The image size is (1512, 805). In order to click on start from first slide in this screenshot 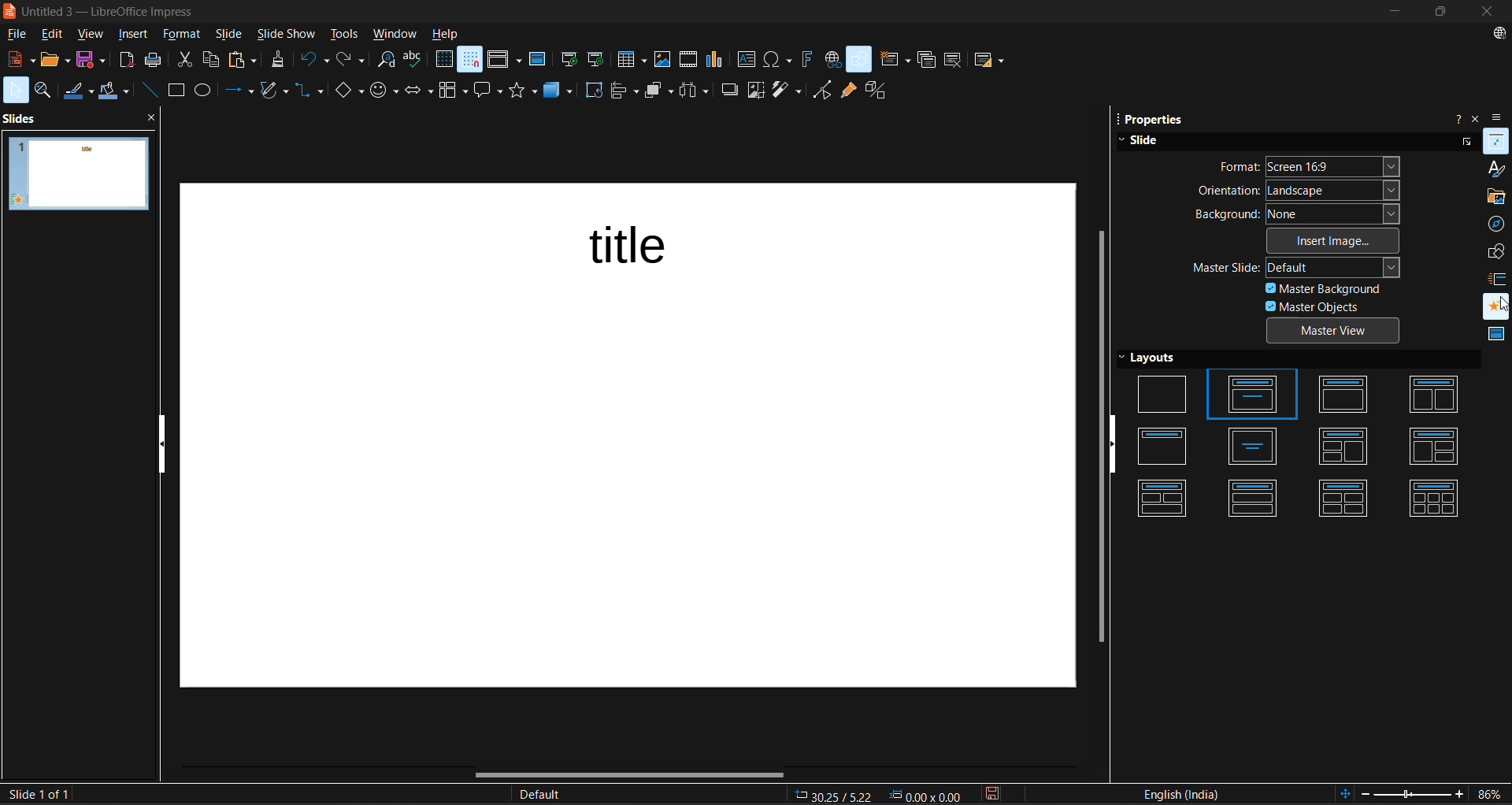, I will do `click(569, 61)`.